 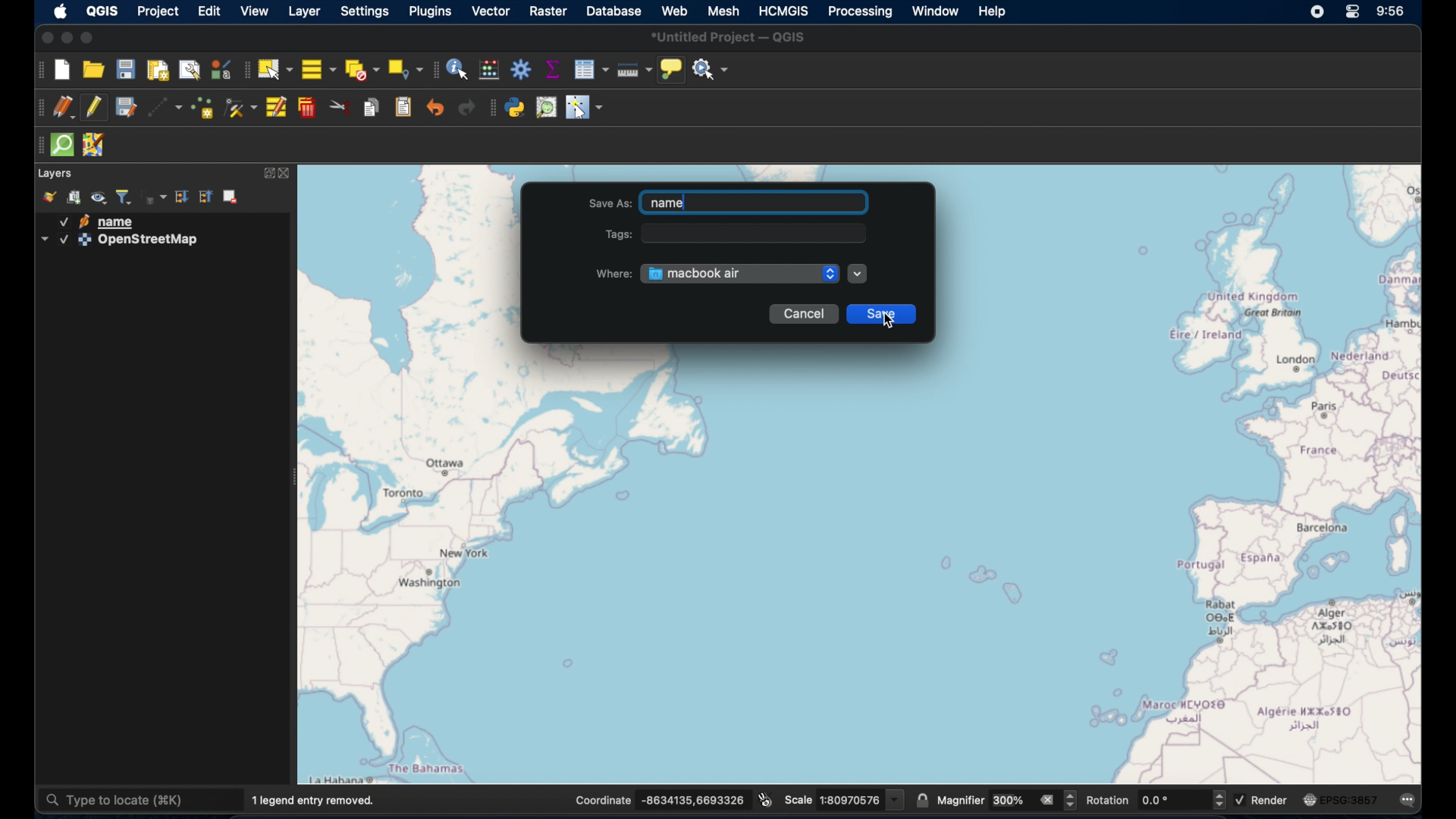 I want to click on filter layer by expression, so click(x=156, y=196).